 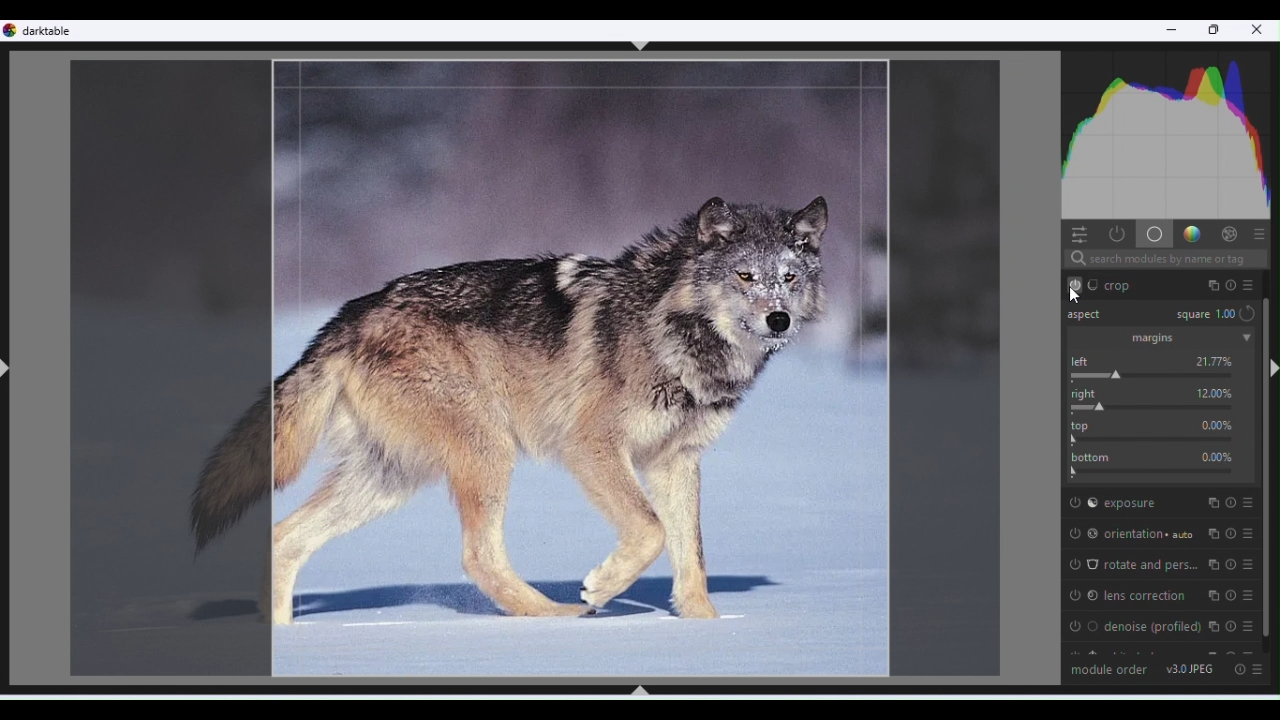 What do you see at coordinates (11, 30) in the screenshot?
I see `logo` at bounding box center [11, 30].